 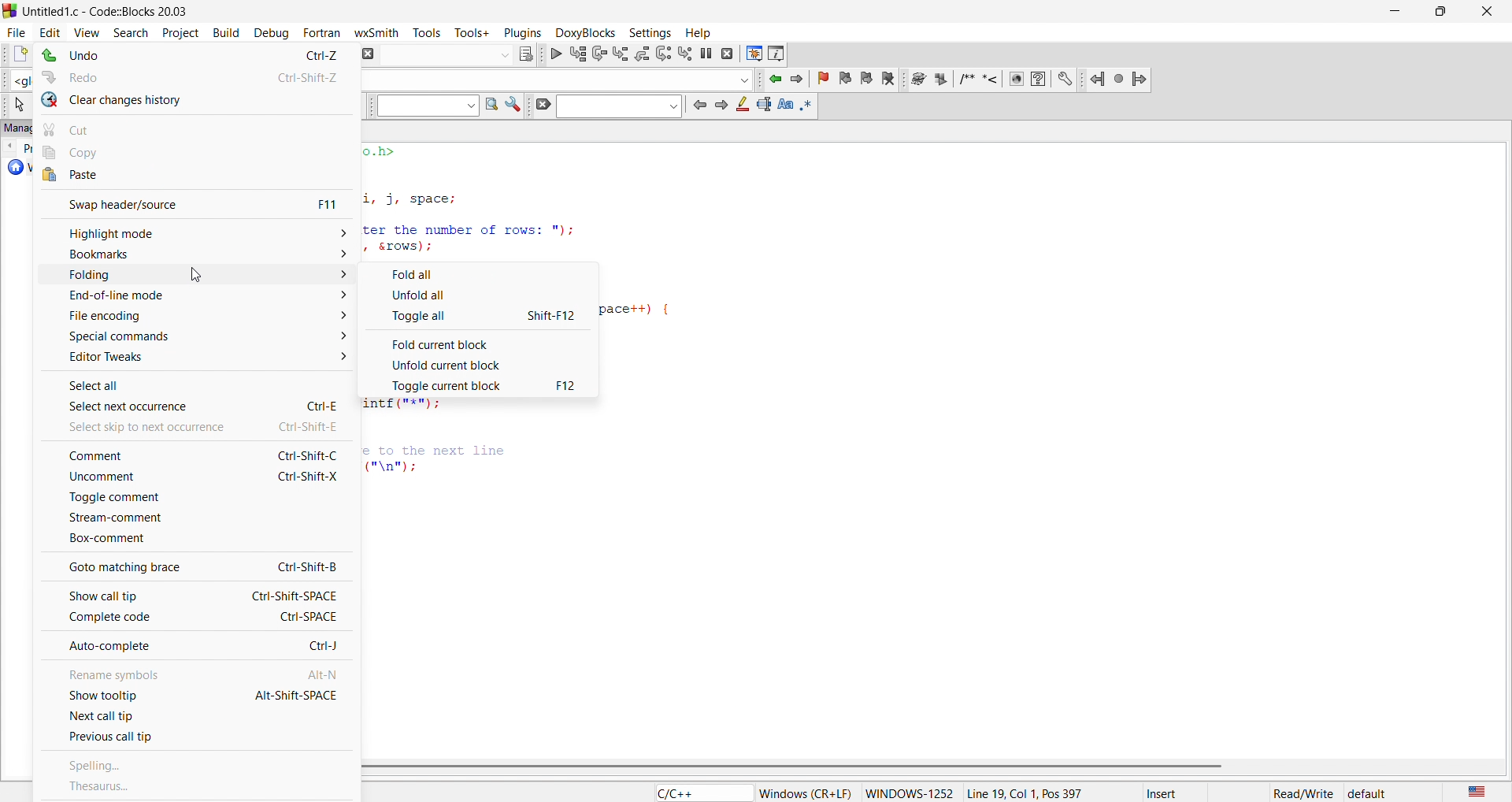 What do you see at coordinates (917, 79) in the screenshot?
I see `run doxy wizard` at bounding box center [917, 79].